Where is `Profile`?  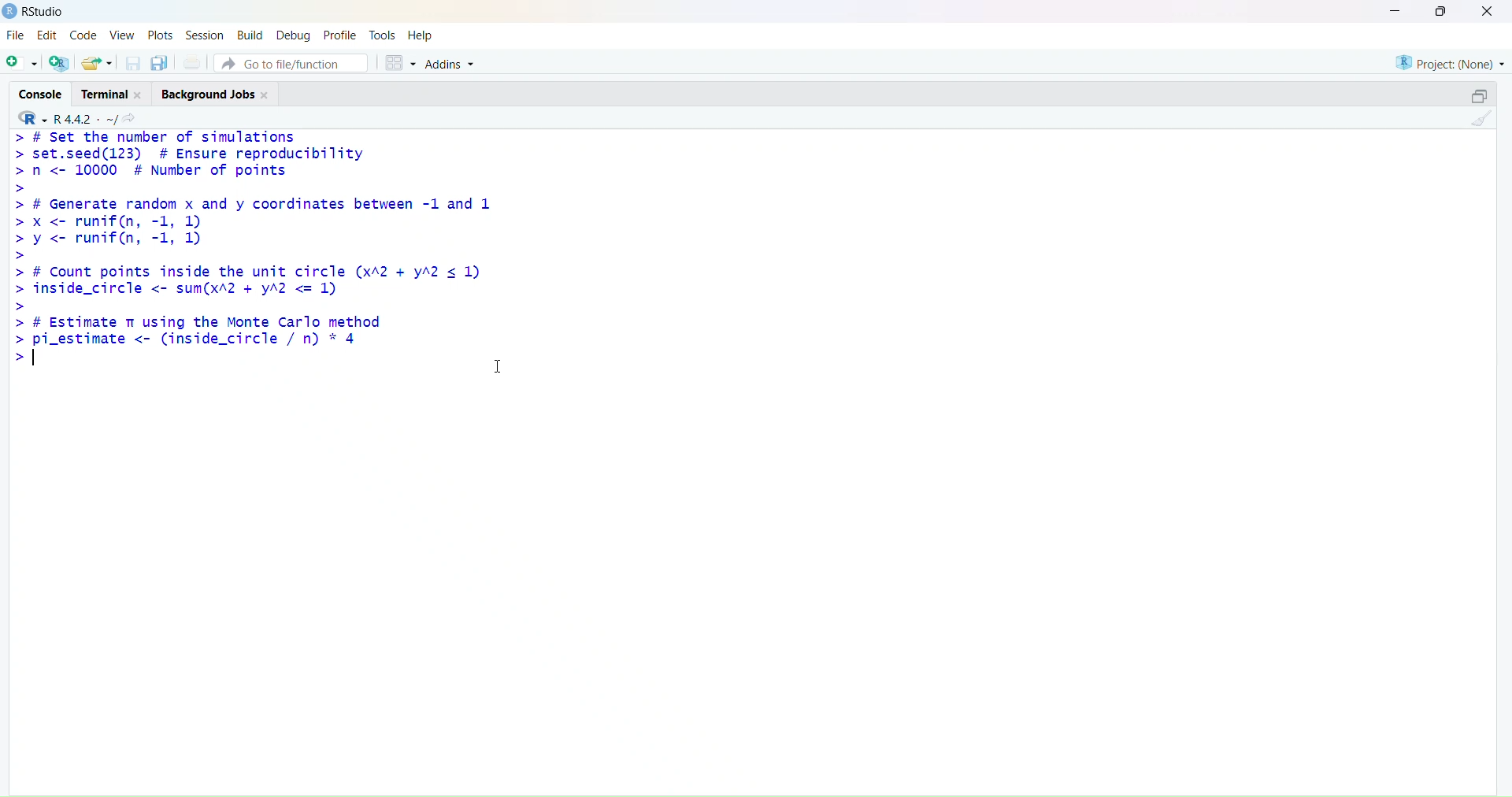
Profile is located at coordinates (343, 33).